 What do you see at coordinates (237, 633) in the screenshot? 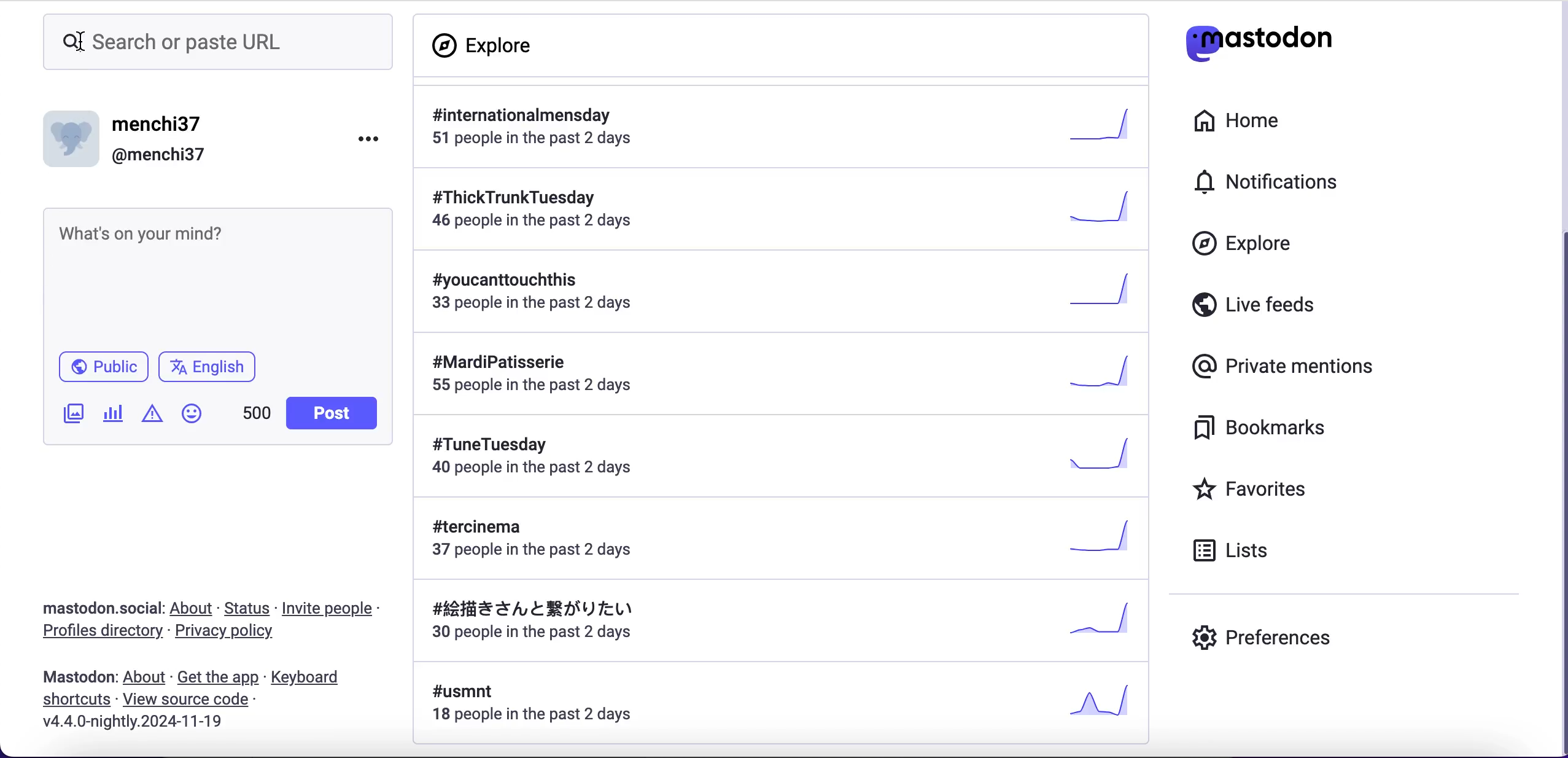
I see `privacy policy` at bounding box center [237, 633].